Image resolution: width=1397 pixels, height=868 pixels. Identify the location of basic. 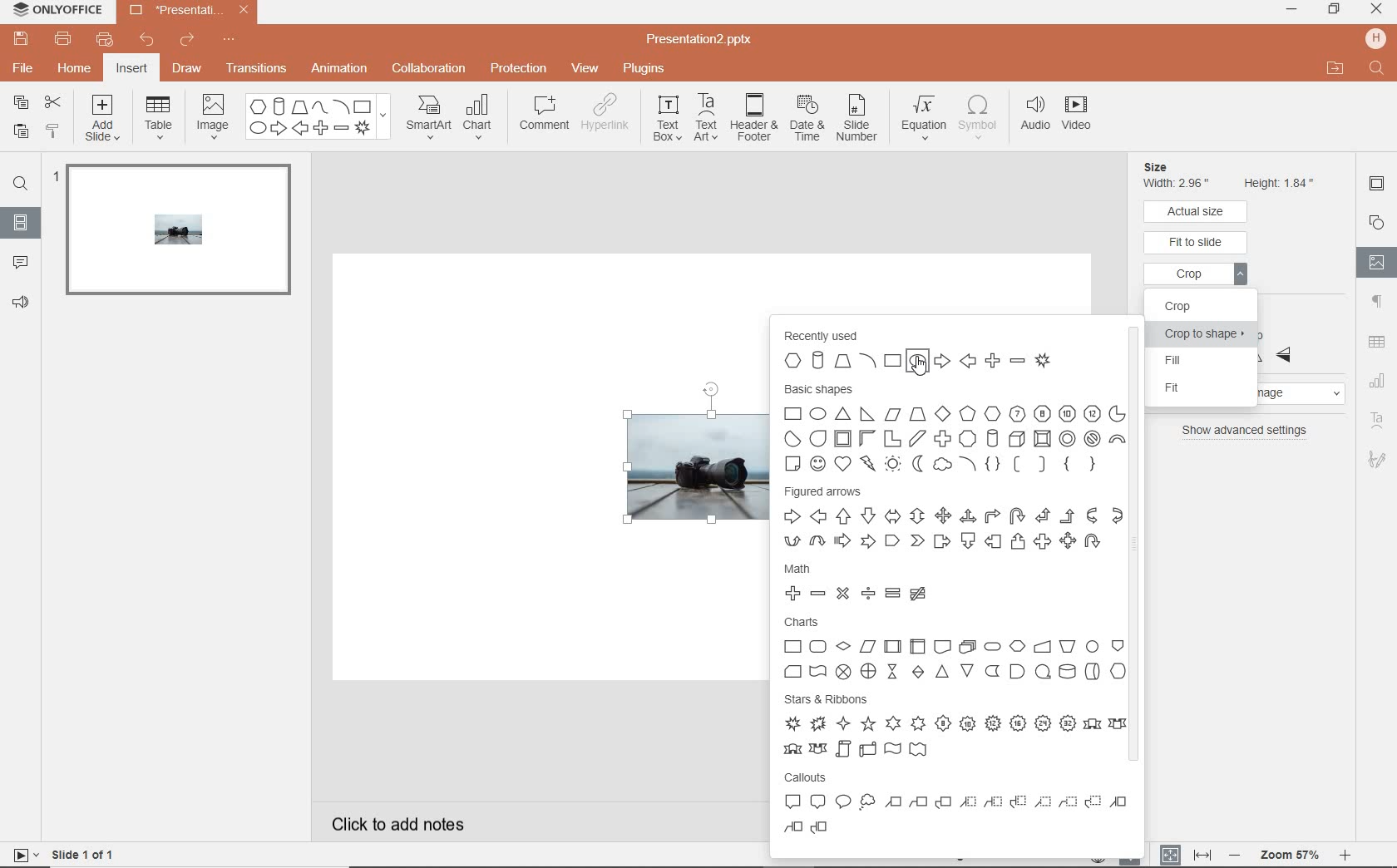
(953, 427).